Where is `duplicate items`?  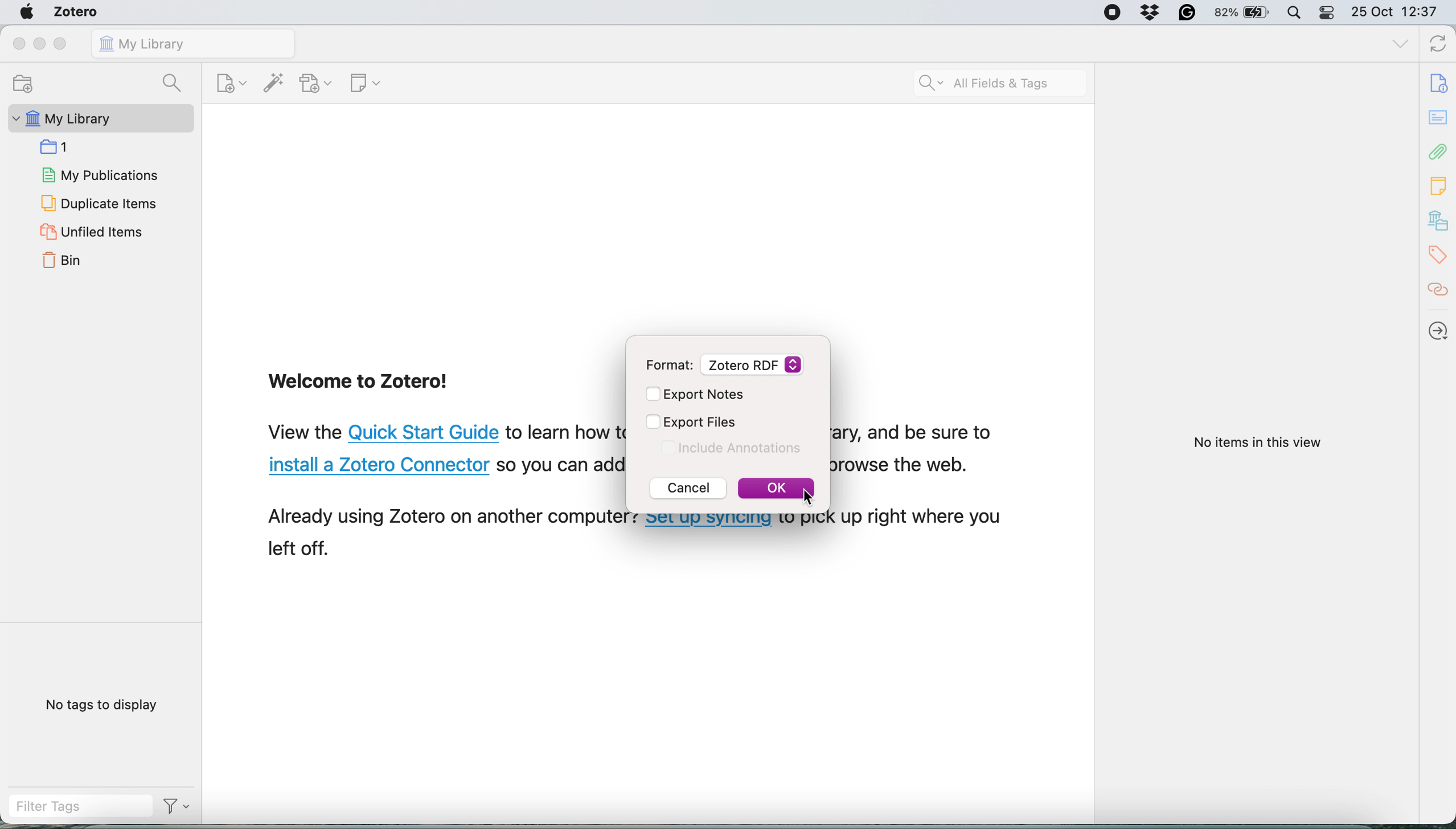
duplicate items is located at coordinates (100, 203).